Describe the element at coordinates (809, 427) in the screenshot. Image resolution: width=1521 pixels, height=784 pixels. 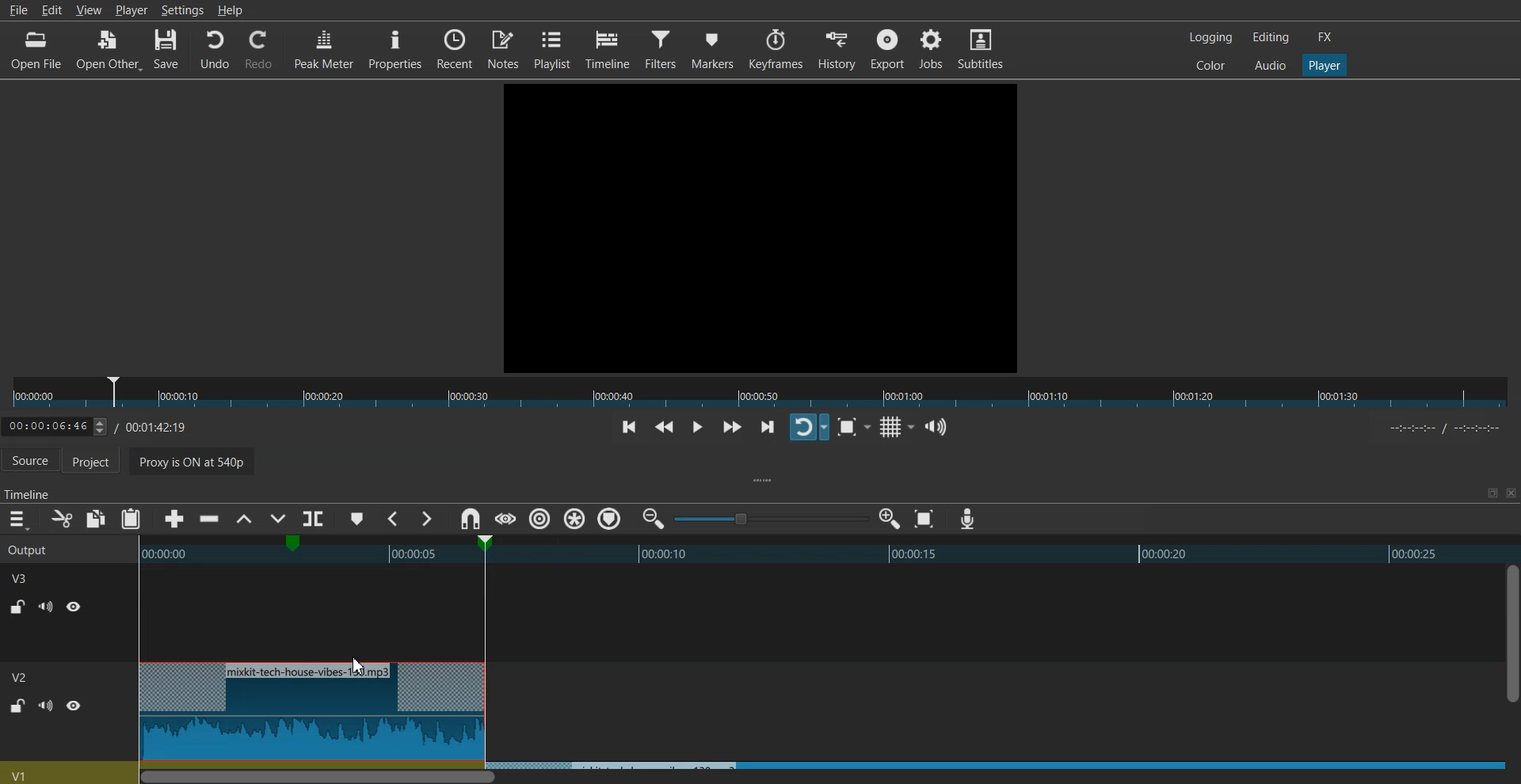
I see `Toggle player lopping` at that location.